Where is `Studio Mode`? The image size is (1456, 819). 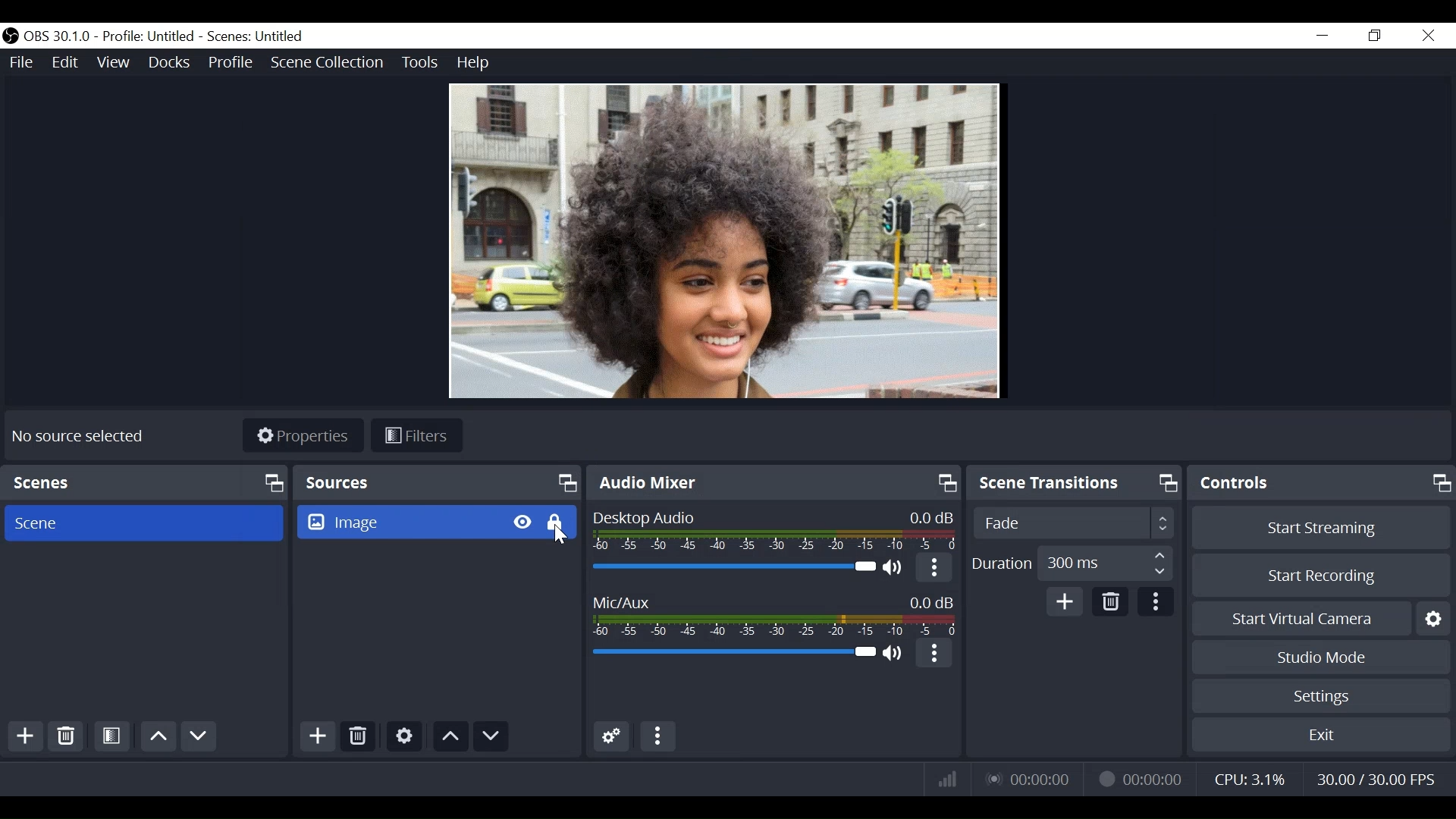 Studio Mode is located at coordinates (1320, 659).